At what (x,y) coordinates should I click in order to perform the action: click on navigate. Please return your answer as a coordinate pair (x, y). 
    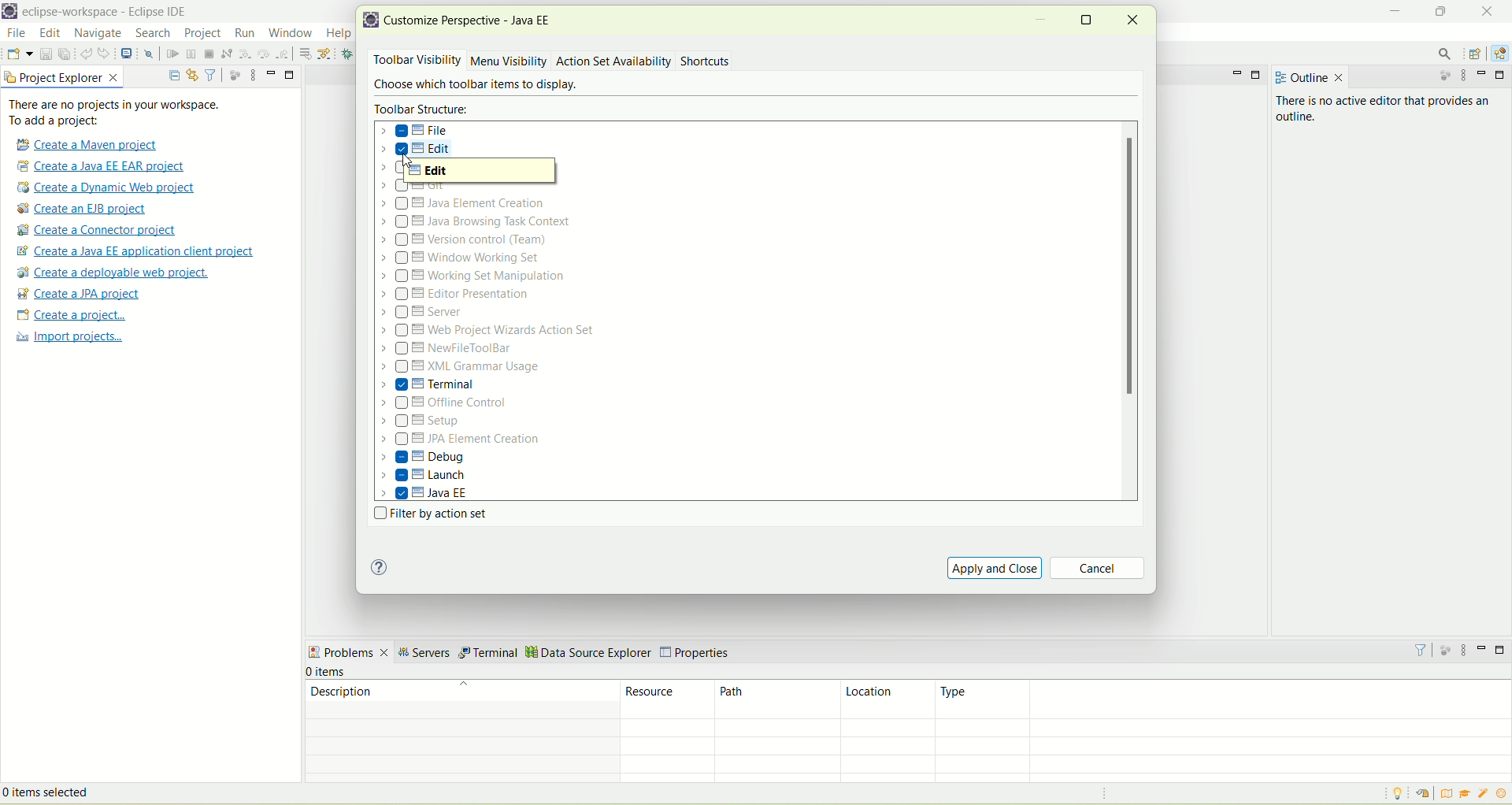
    Looking at the image, I should click on (98, 35).